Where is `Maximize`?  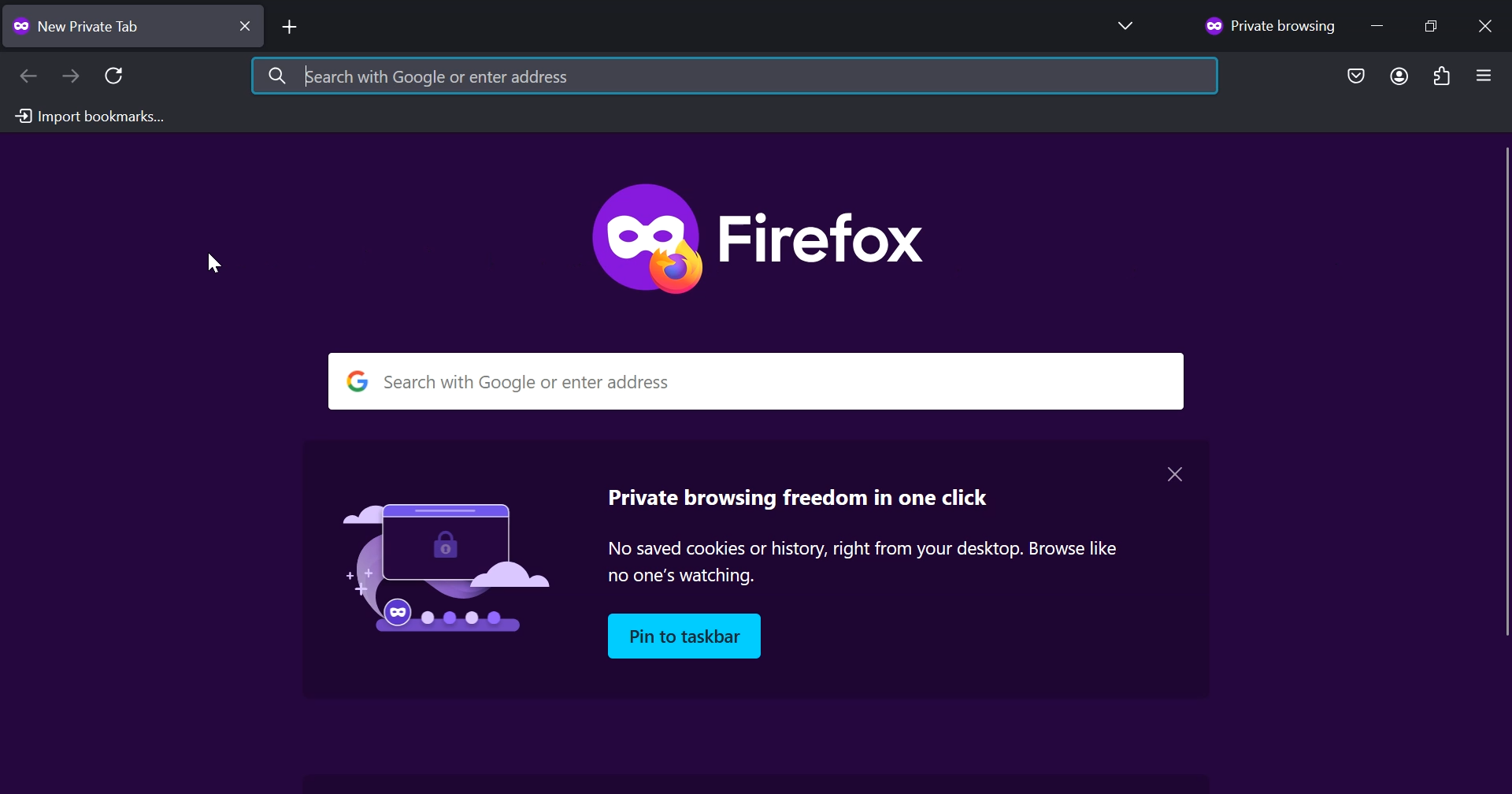
Maximize is located at coordinates (1430, 26).